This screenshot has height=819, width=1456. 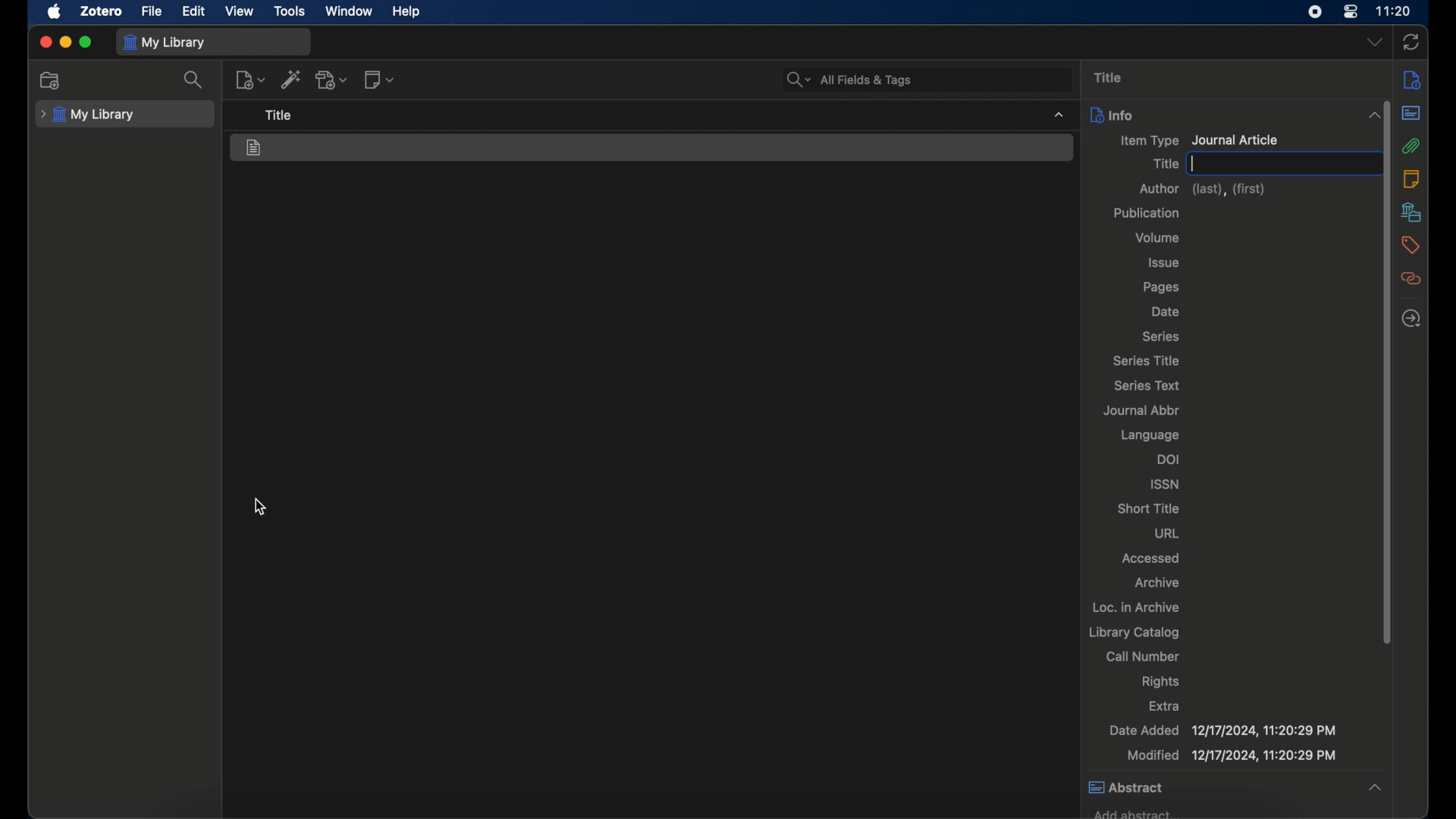 I want to click on libraries, so click(x=1411, y=212).